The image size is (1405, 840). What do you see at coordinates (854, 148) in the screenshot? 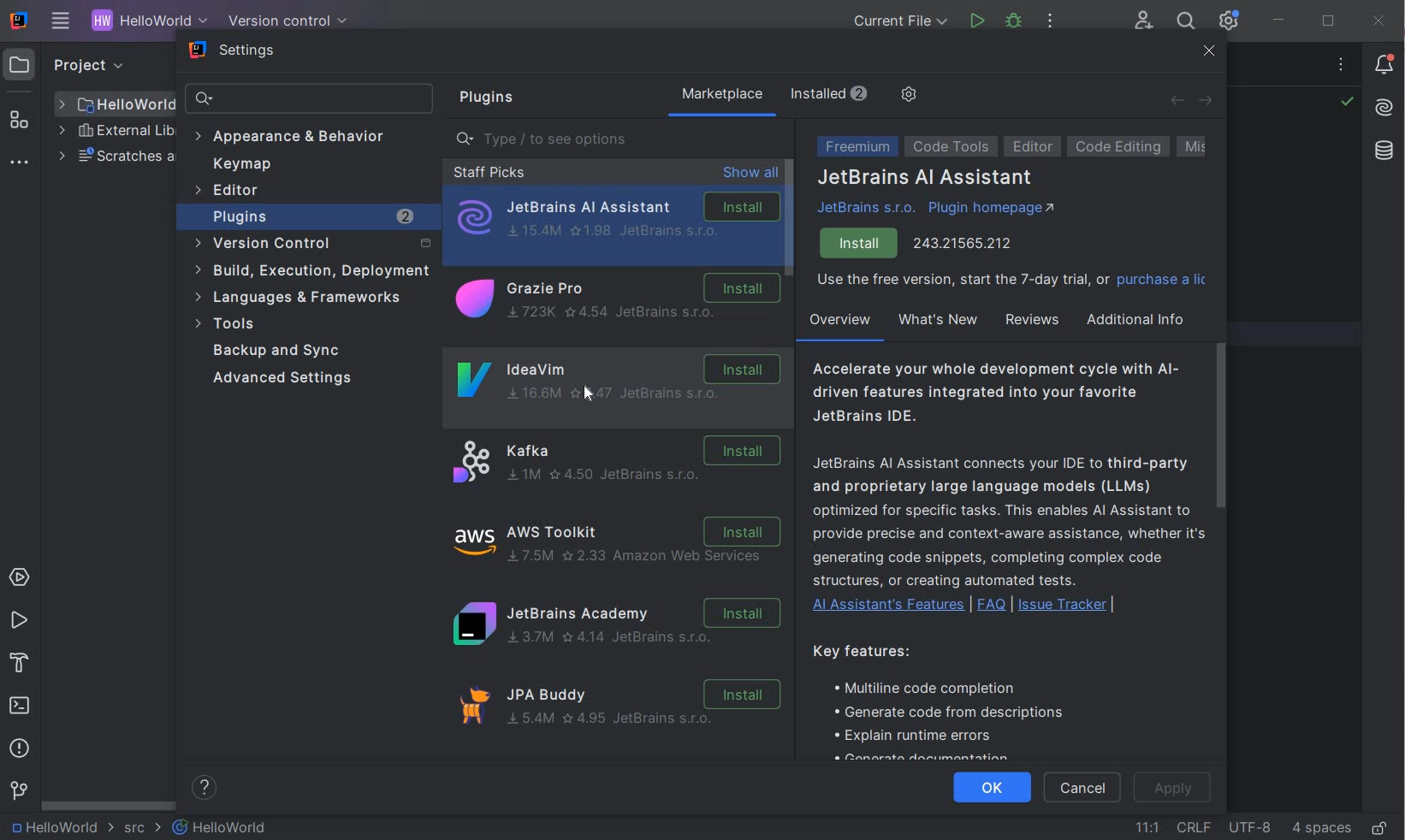
I see `freemium` at bounding box center [854, 148].